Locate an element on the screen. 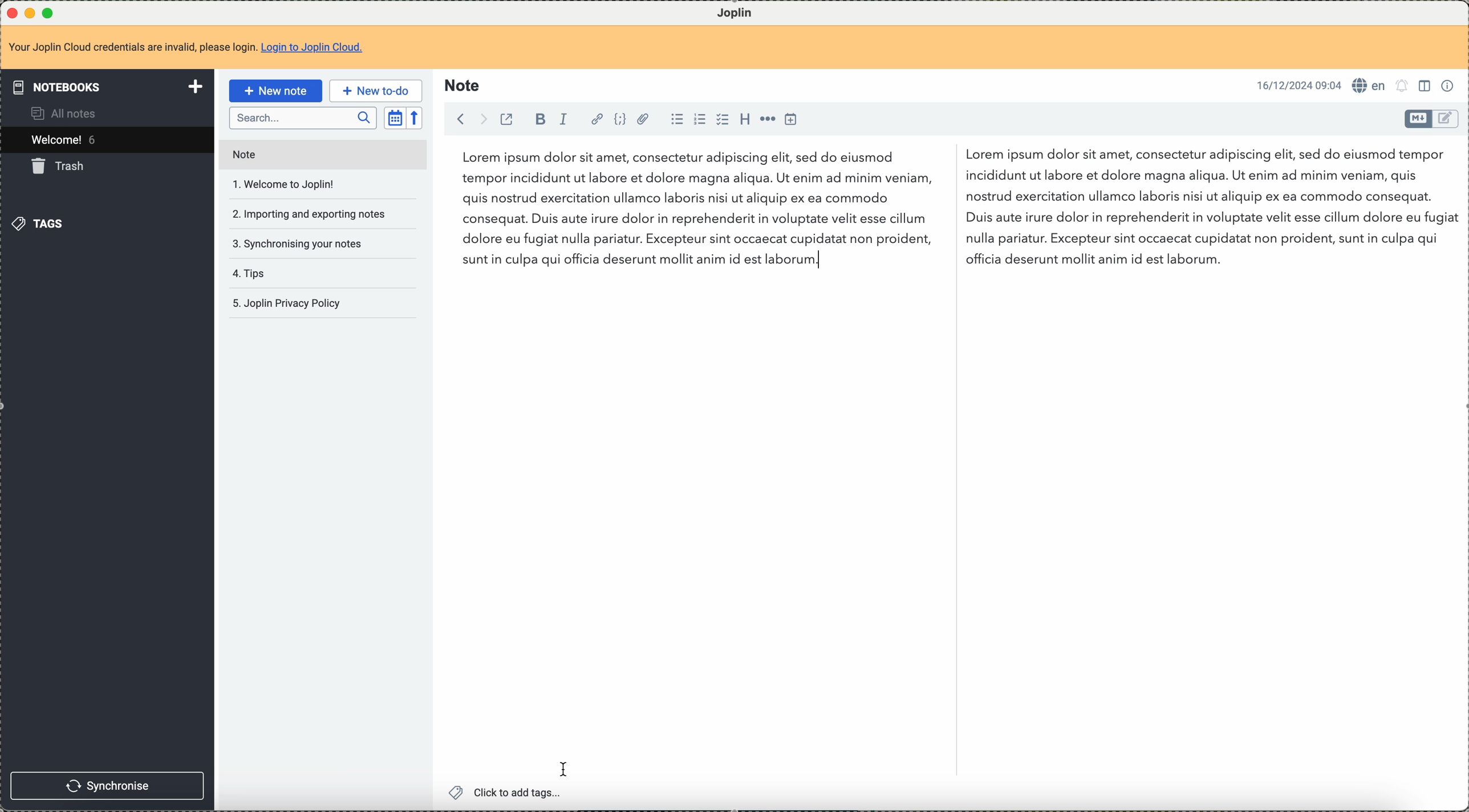 This screenshot has width=1469, height=812. toggle editor is located at coordinates (1447, 120).